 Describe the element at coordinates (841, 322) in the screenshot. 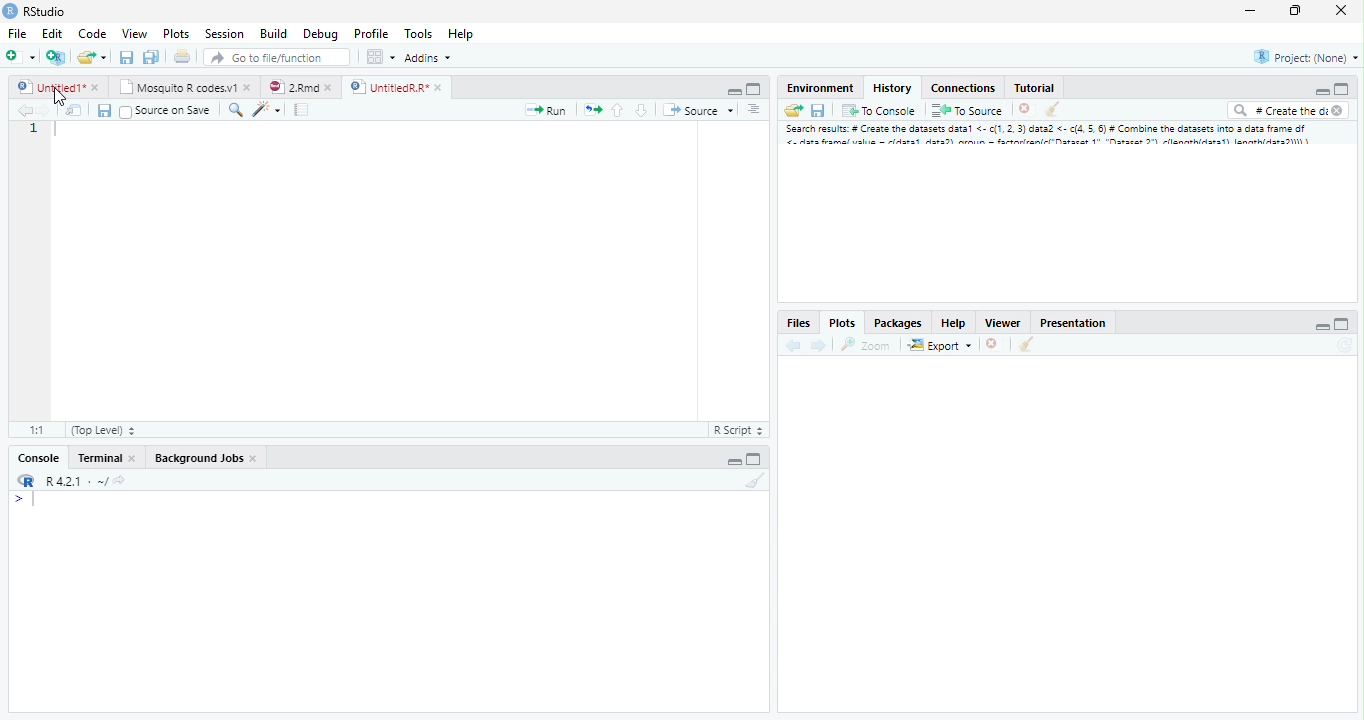

I see `Plots` at that location.